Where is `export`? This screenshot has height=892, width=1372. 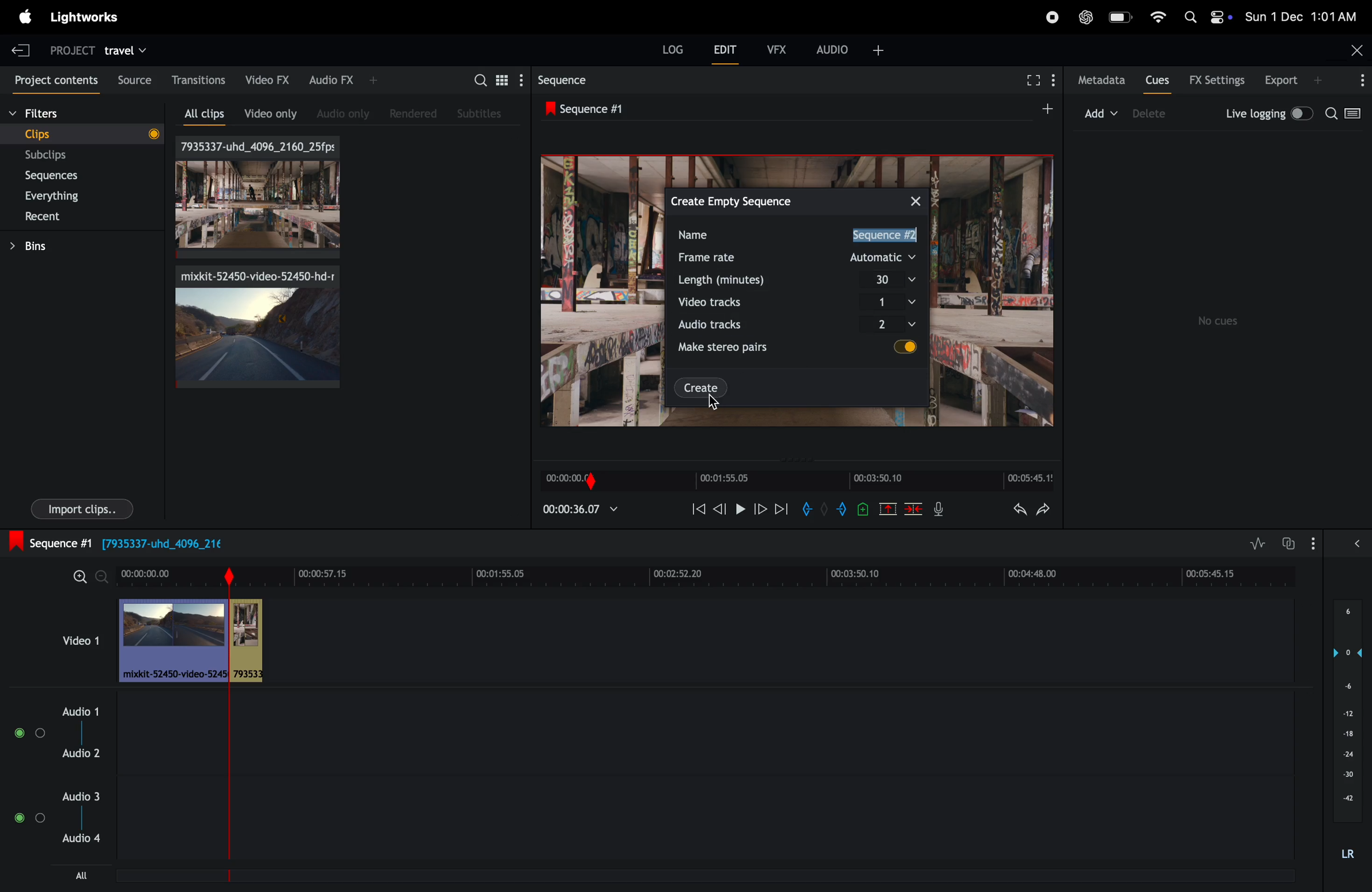
export is located at coordinates (1294, 80).